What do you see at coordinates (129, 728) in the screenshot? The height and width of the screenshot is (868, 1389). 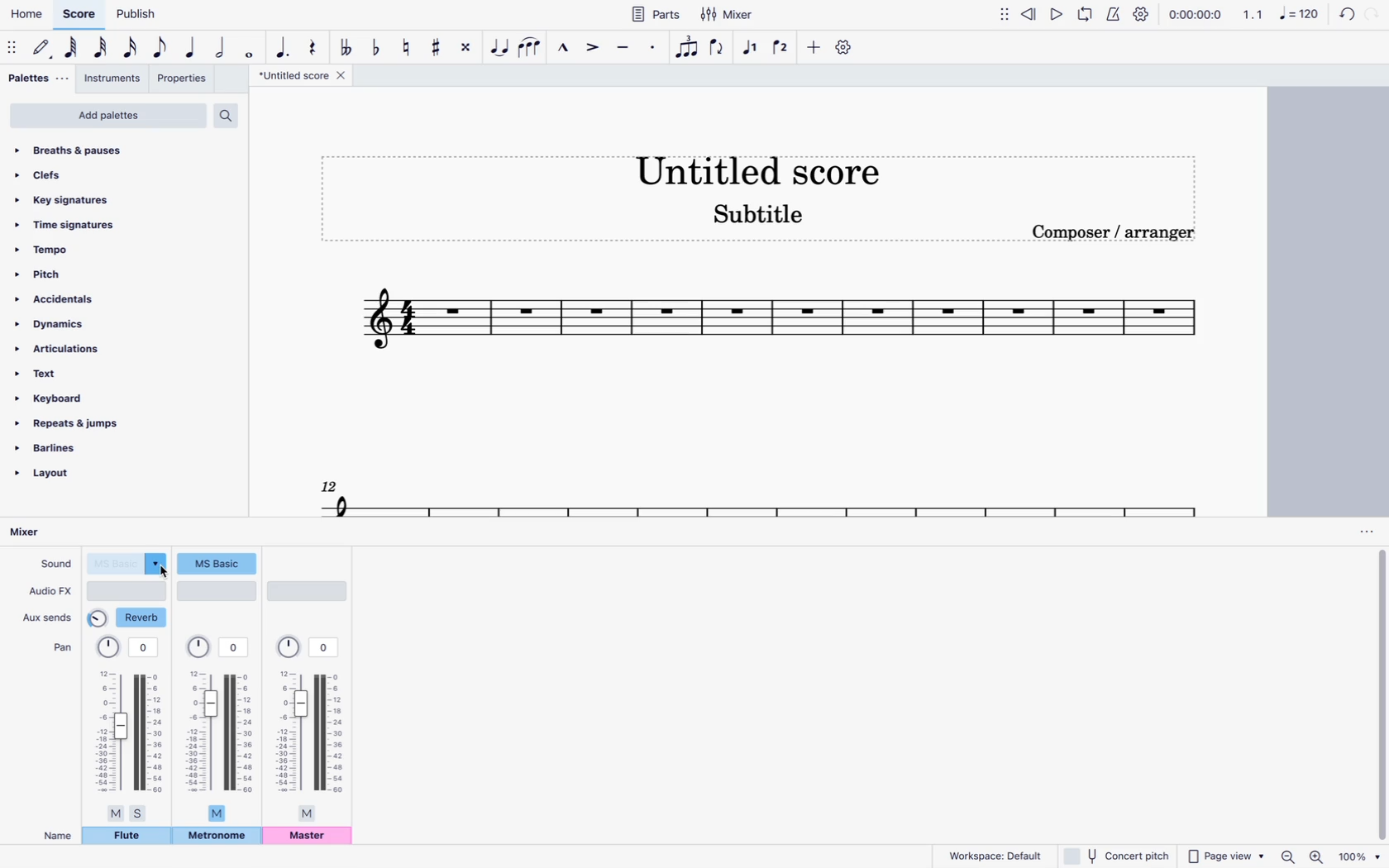 I see `pan` at bounding box center [129, 728].